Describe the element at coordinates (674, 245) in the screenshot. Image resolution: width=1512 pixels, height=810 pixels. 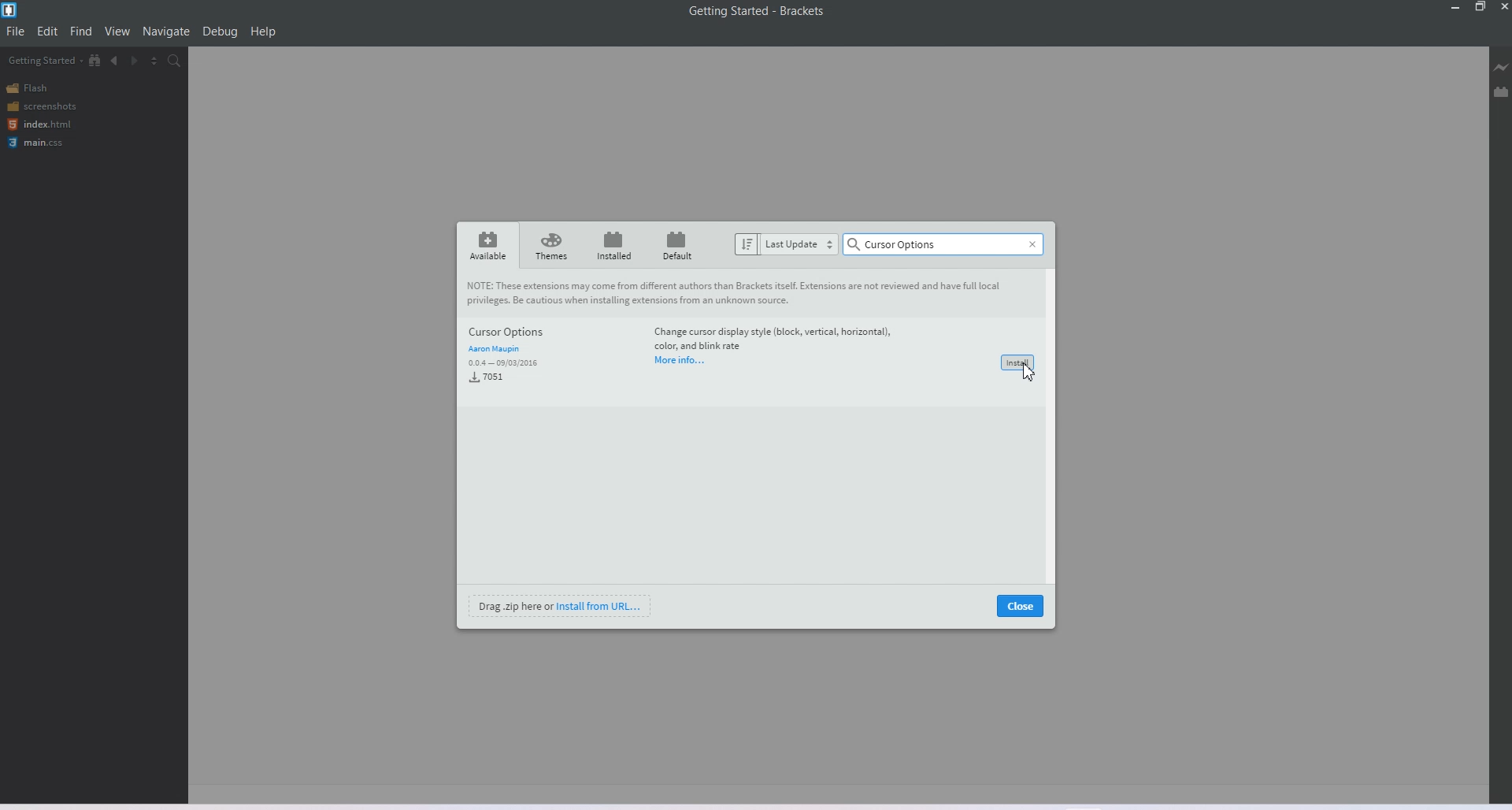
I see `default` at that location.